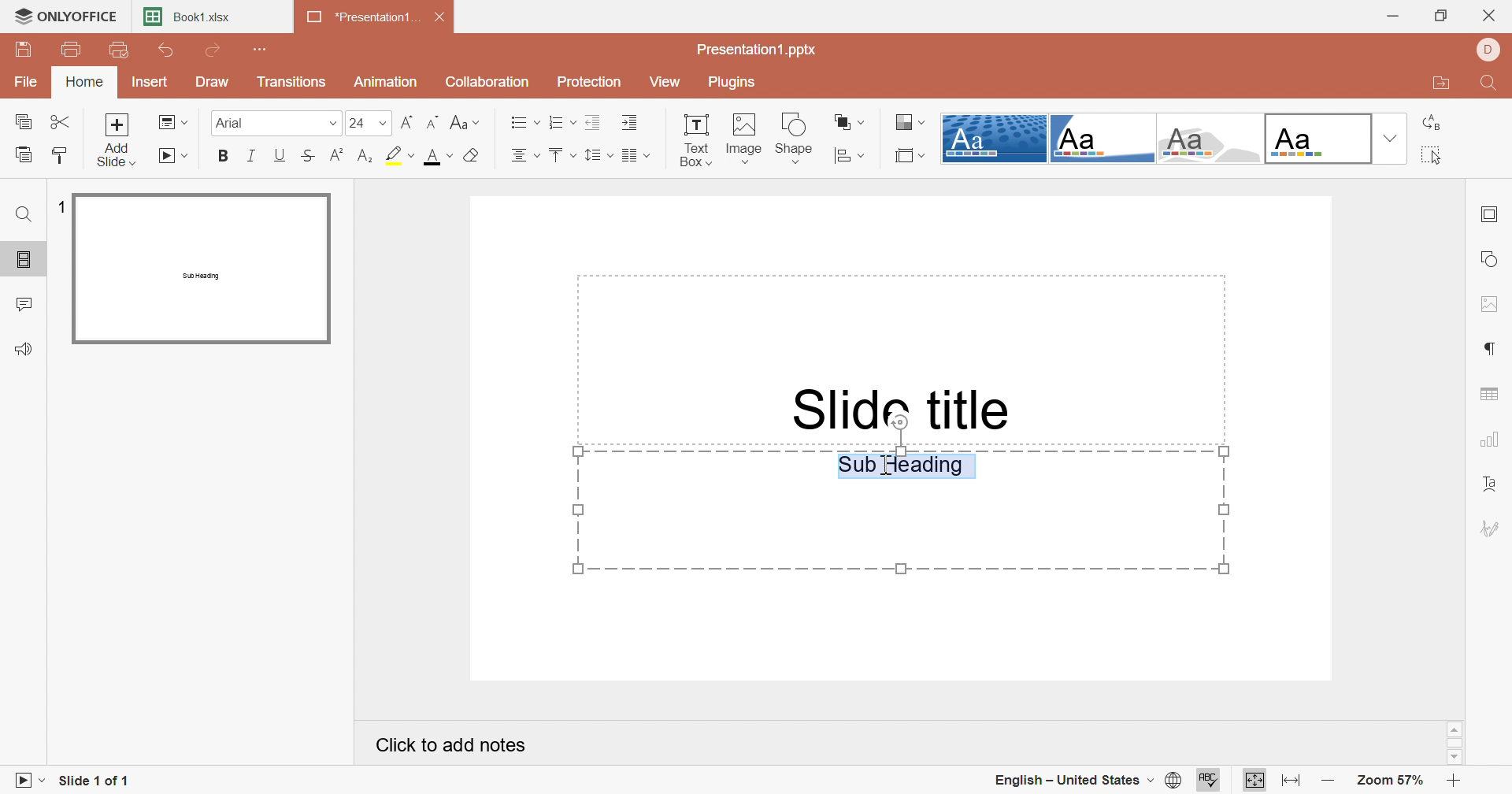  I want to click on Dotted, so click(995, 138).